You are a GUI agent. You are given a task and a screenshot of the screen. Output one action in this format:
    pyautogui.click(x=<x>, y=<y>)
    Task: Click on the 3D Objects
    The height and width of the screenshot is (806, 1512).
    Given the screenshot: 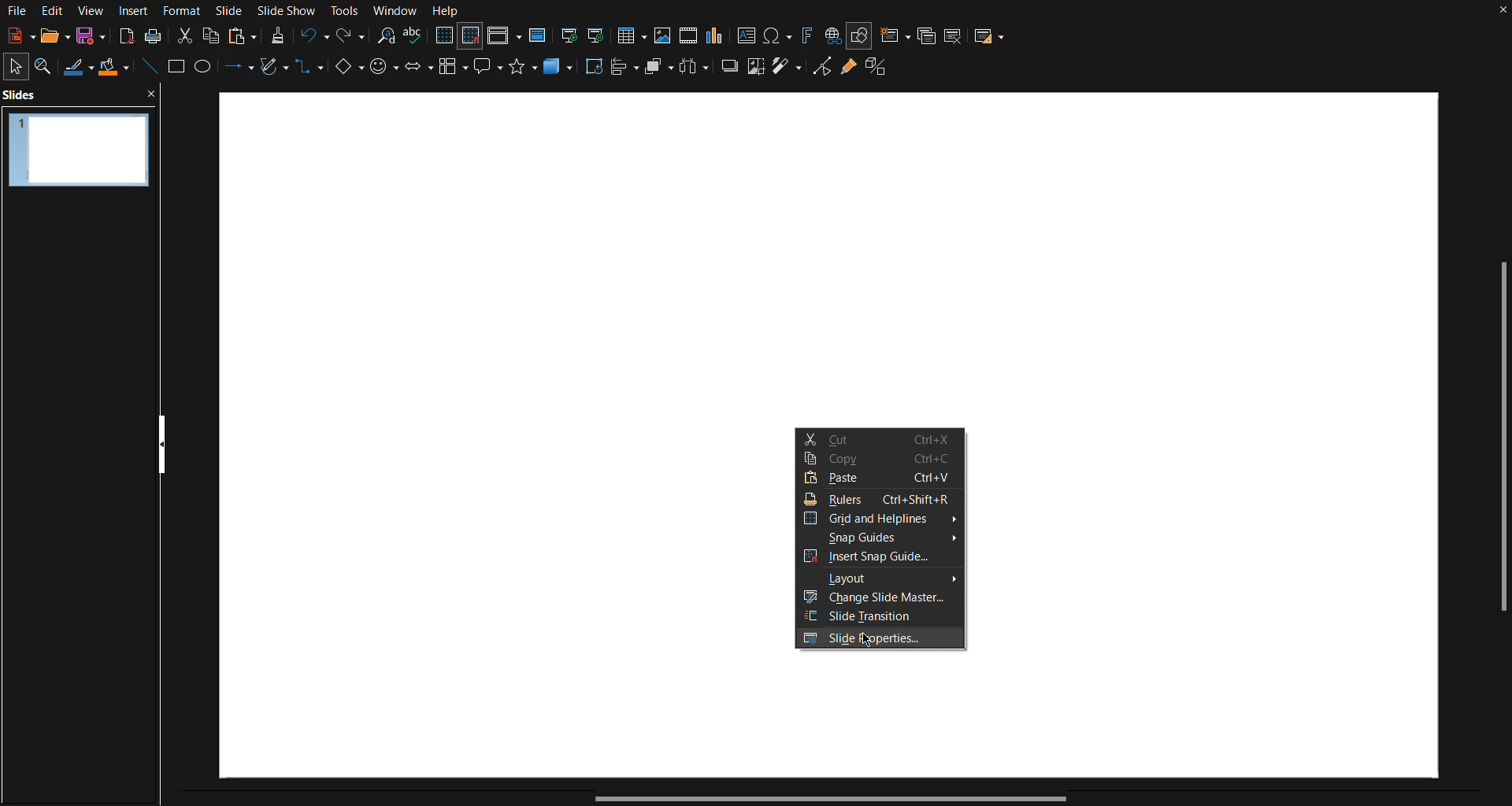 What is the action you would take?
    pyautogui.click(x=560, y=72)
    